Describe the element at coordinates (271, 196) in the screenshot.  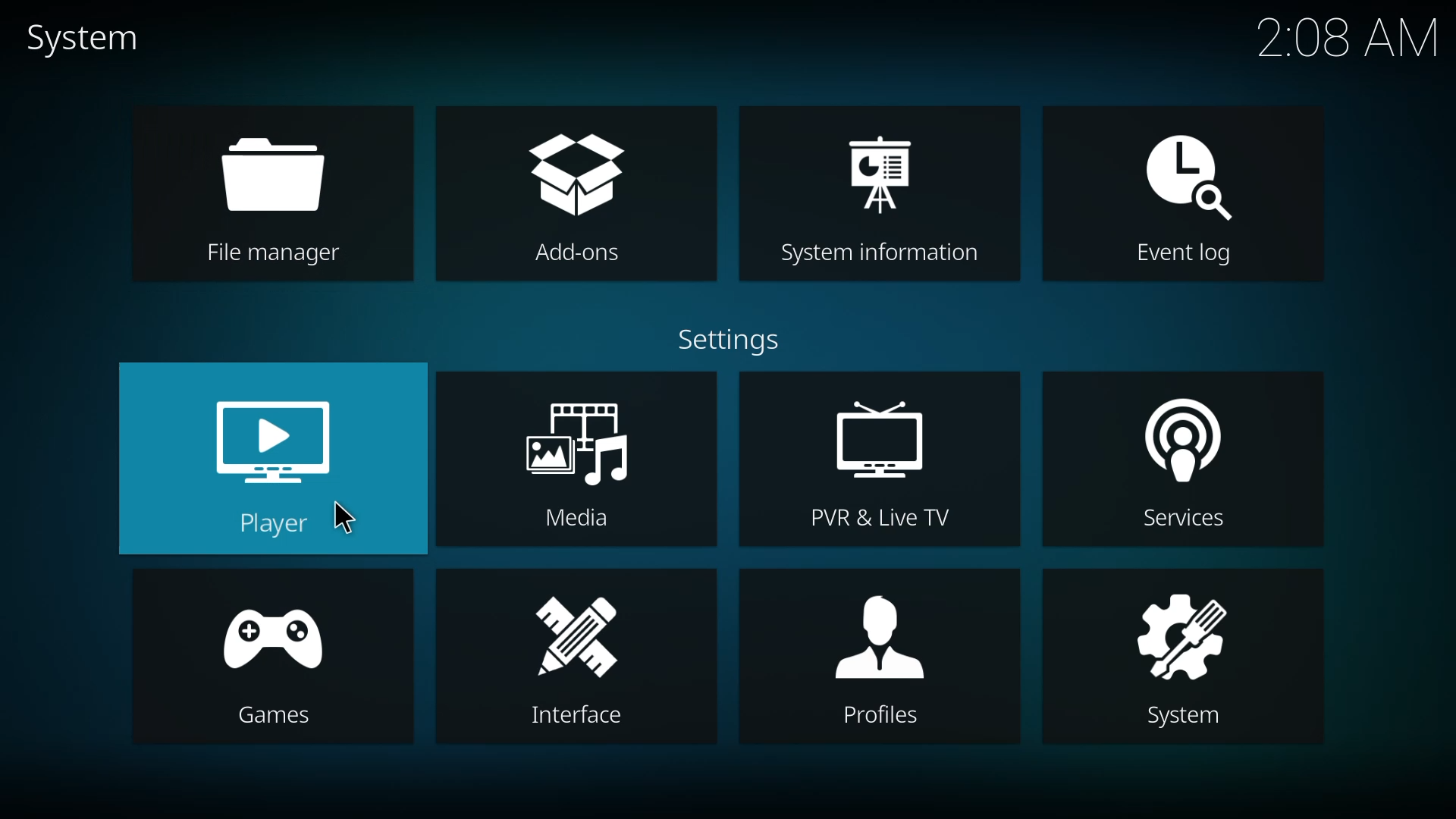
I see `file manager` at that location.